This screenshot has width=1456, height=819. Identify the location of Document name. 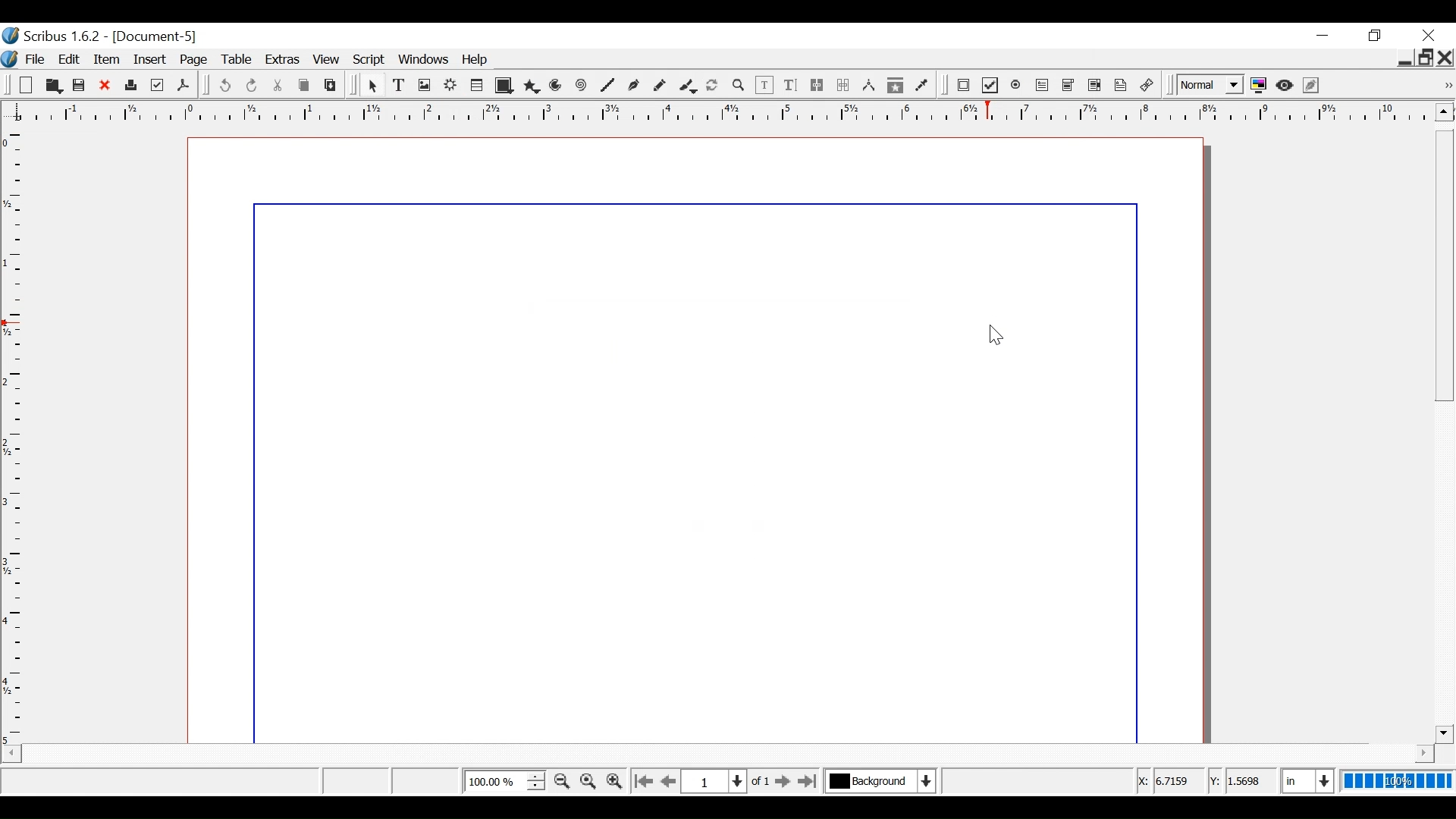
(156, 37).